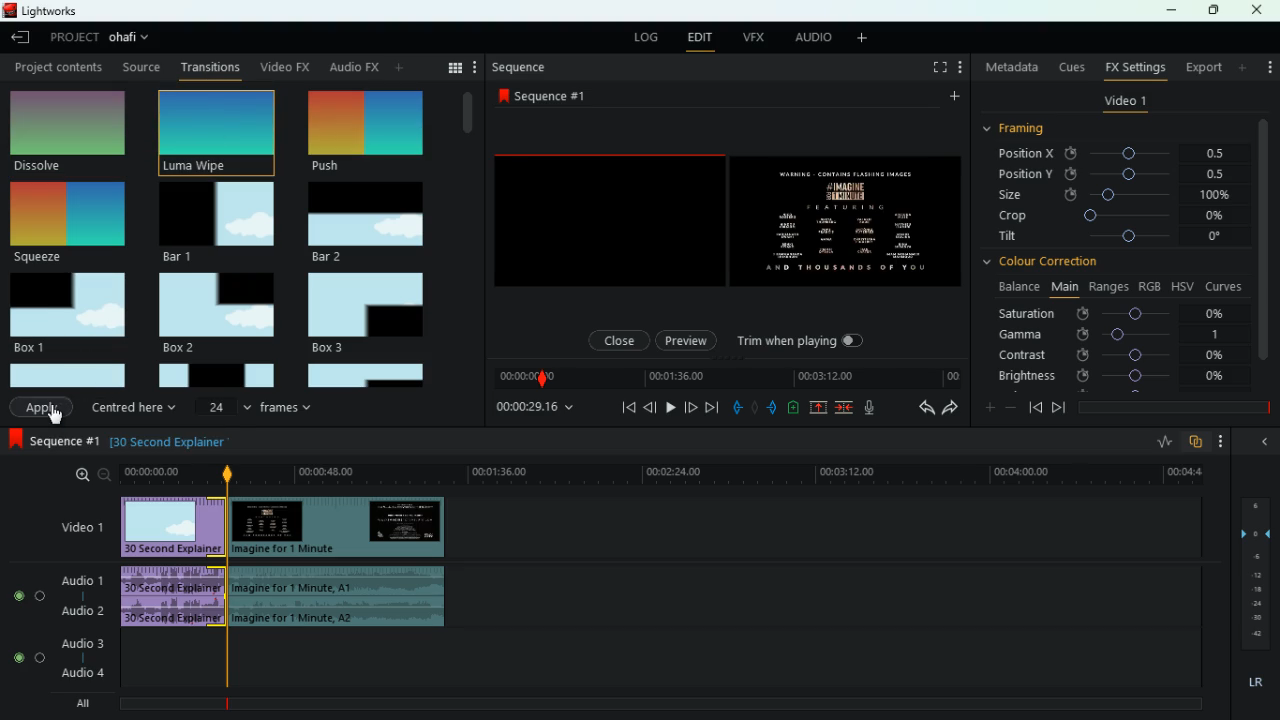 This screenshot has height=720, width=1280. I want to click on join, so click(843, 408).